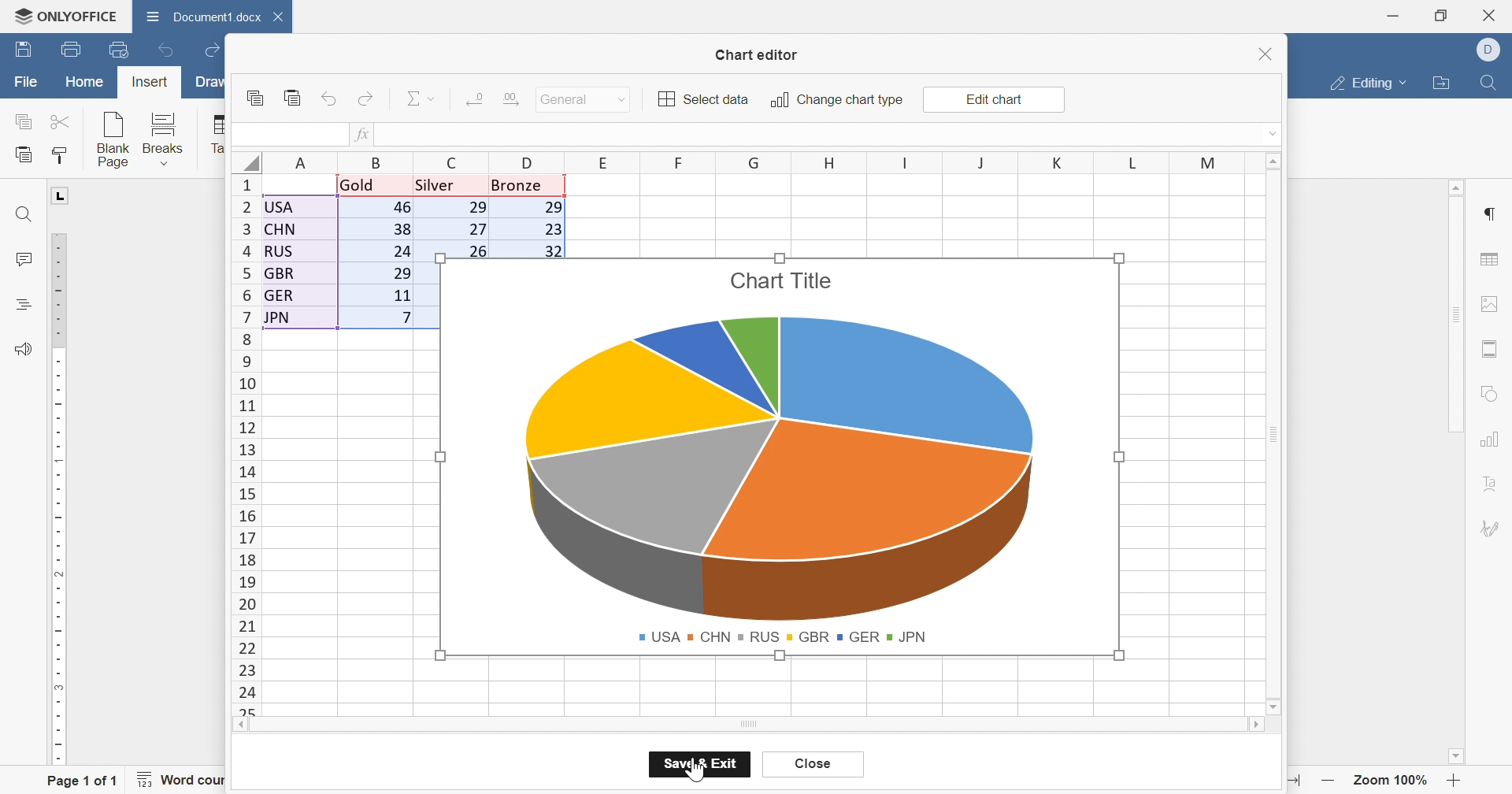  What do you see at coordinates (1495, 439) in the screenshot?
I see `Chart settings` at bounding box center [1495, 439].